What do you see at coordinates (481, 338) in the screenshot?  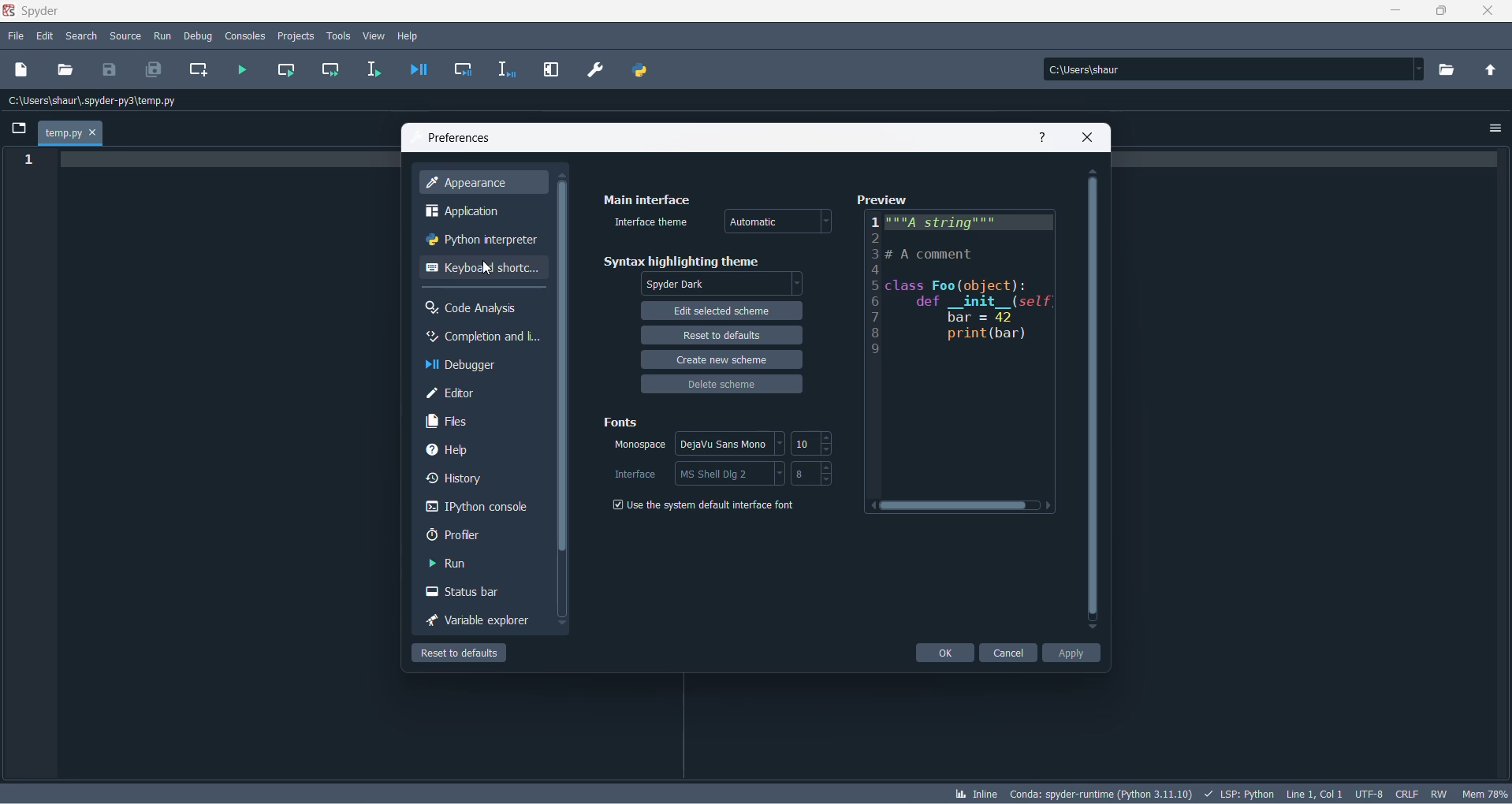 I see `completion` at bounding box center [481, 338].